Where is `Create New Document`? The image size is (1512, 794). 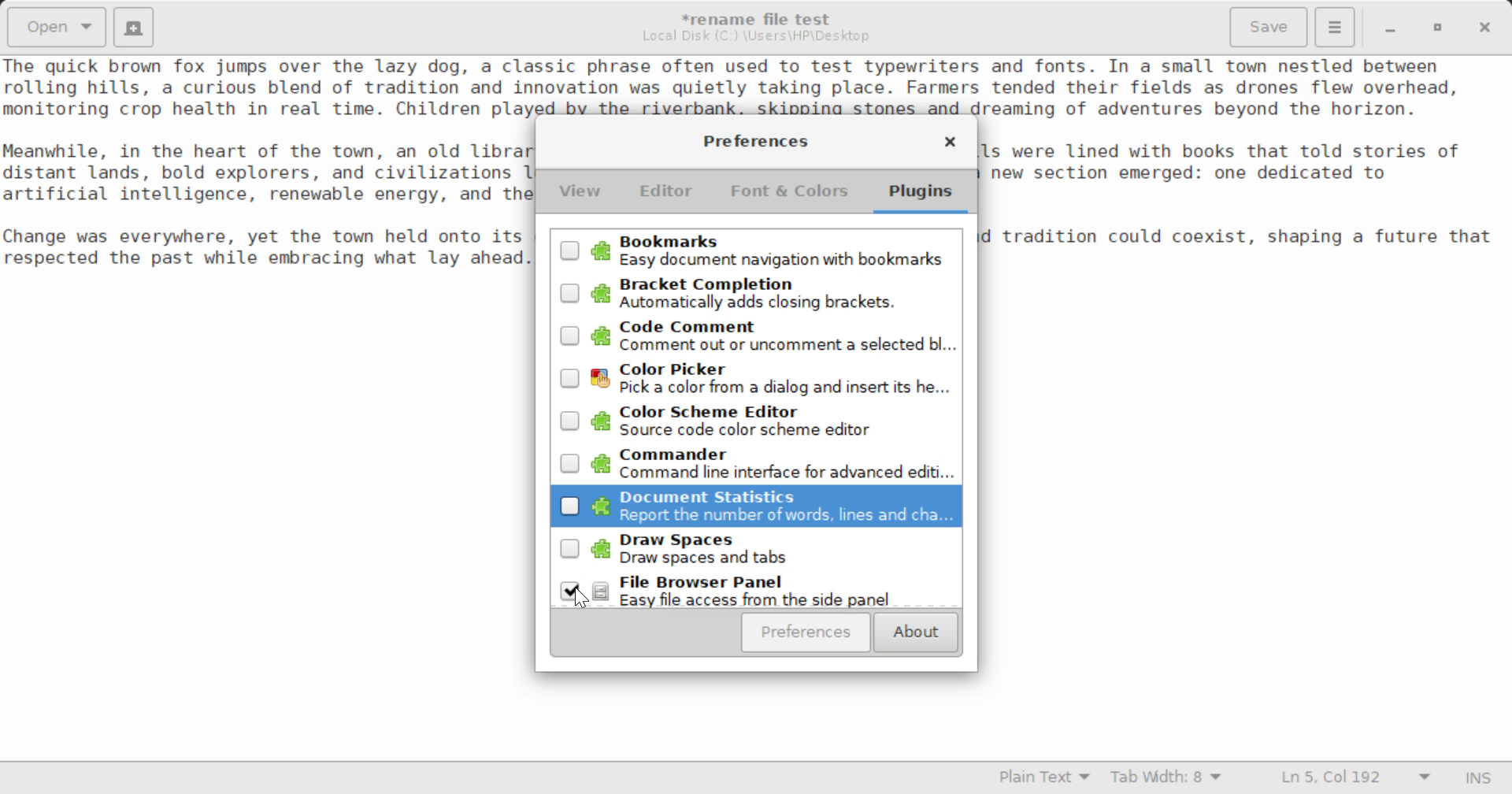
Create New Document is located at coordinates (132, 25).